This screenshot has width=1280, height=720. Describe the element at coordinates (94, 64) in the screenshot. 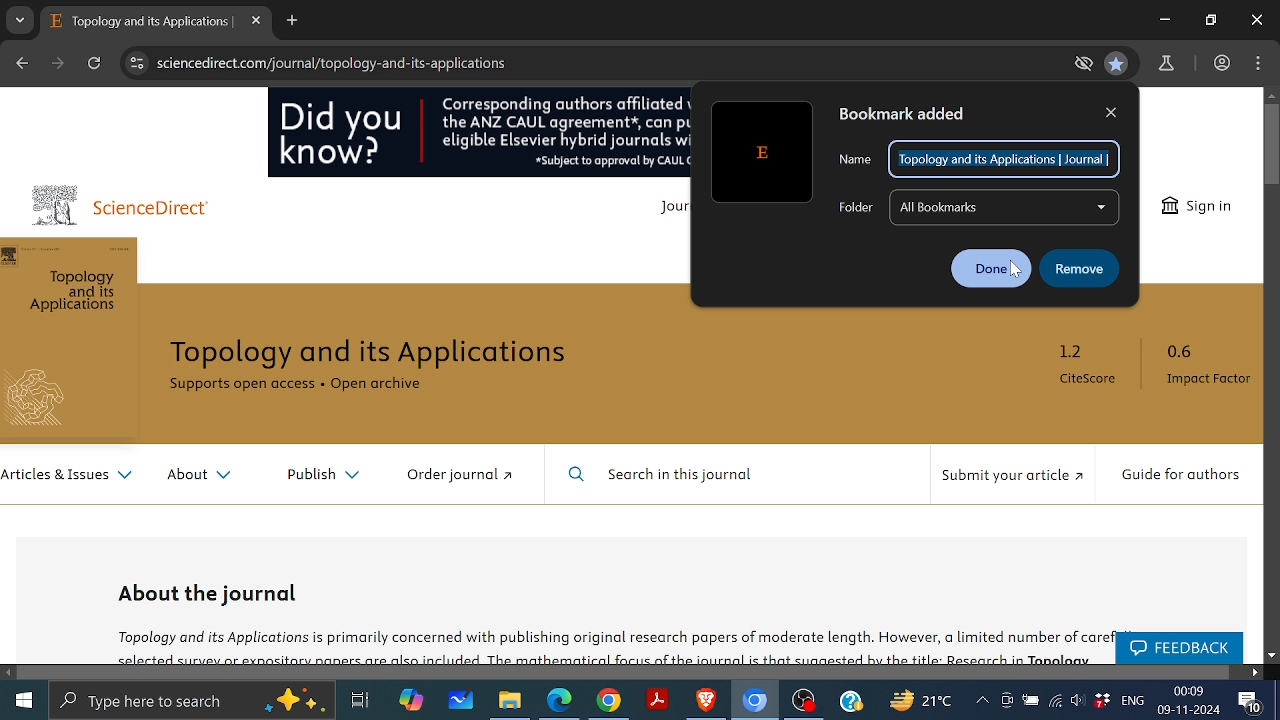

I see `Reload` at that location.